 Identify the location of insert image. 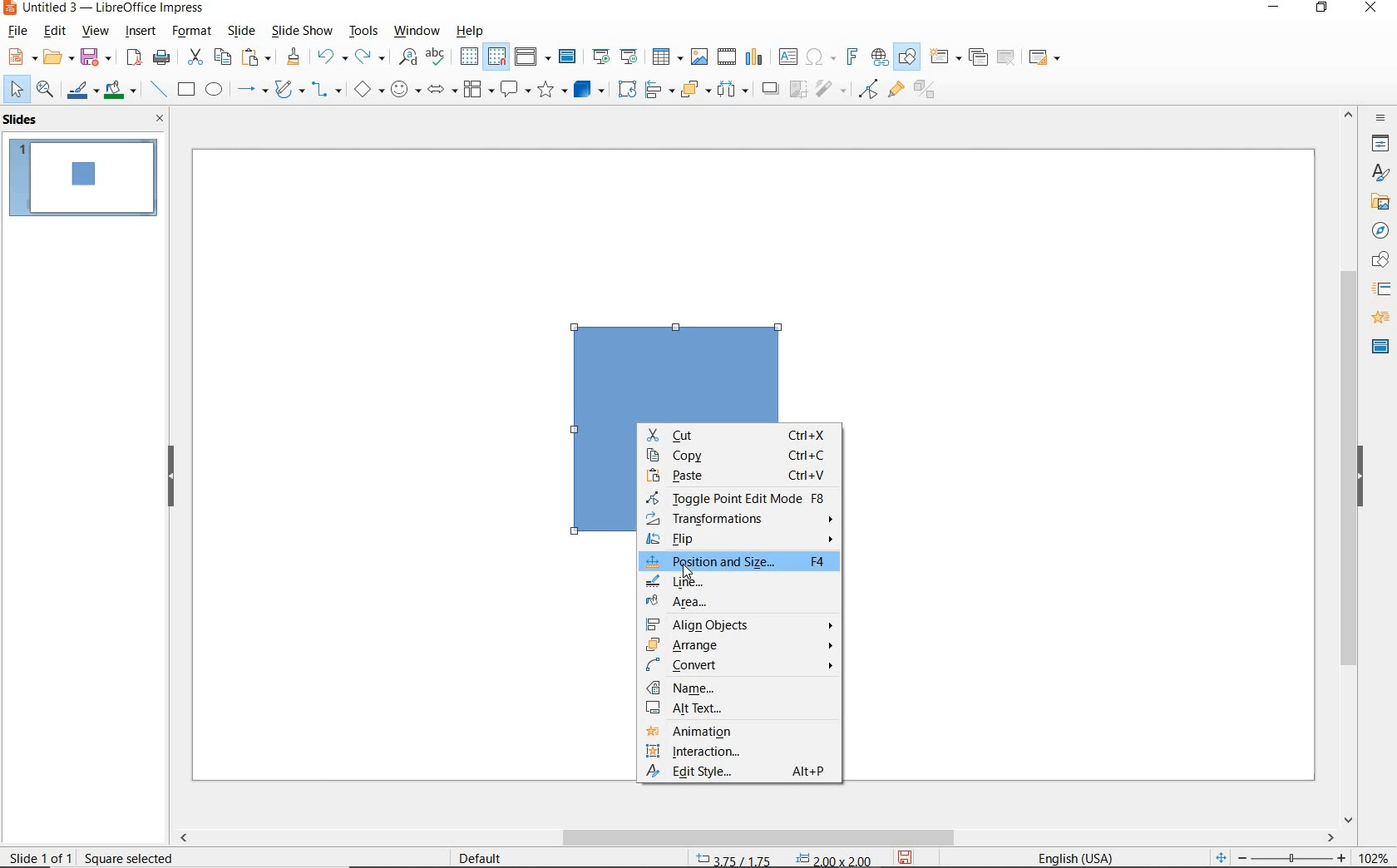
(700, 57).